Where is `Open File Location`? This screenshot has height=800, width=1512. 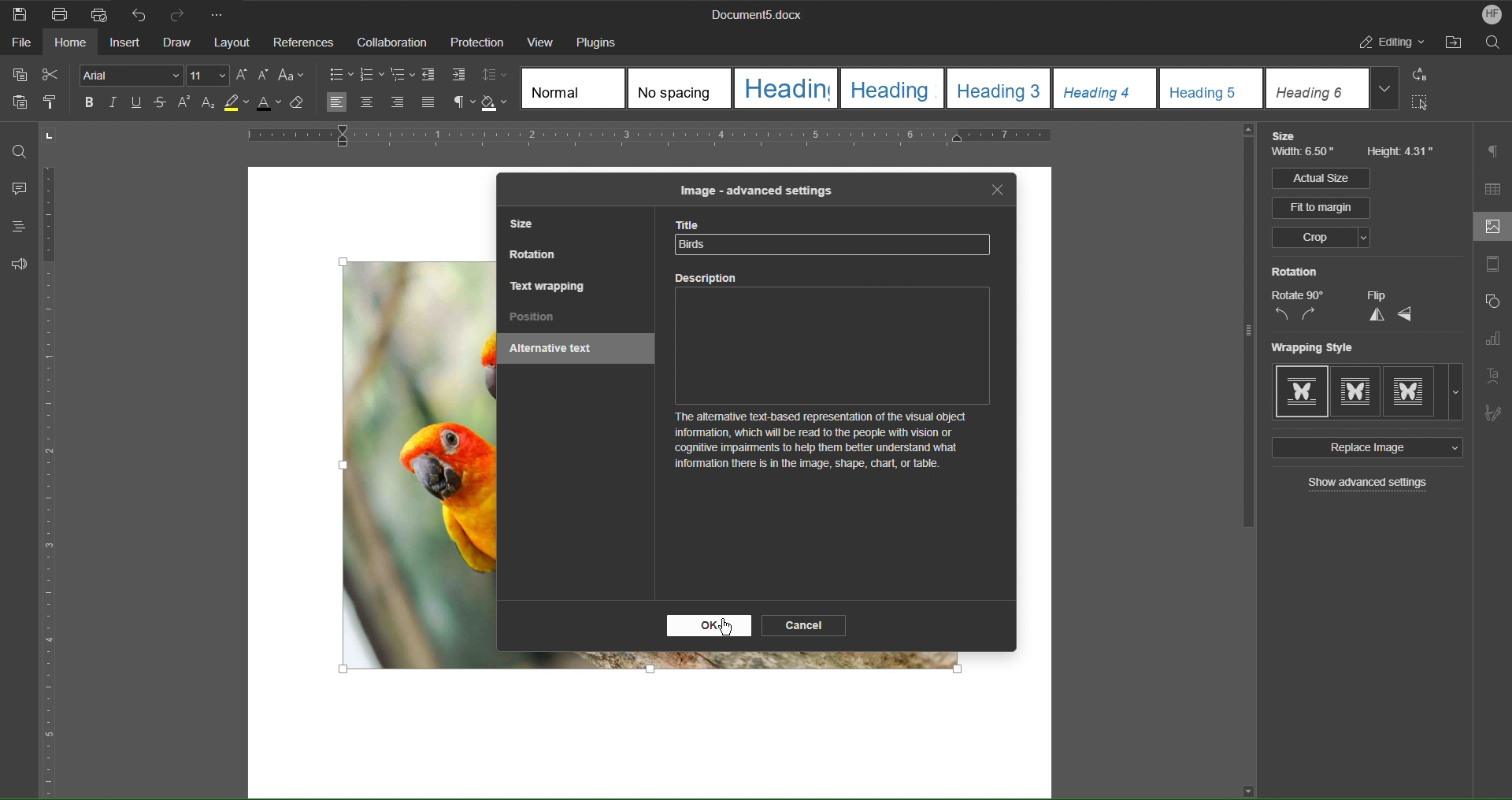 Open File Location is located at coordinates (1456, 45).